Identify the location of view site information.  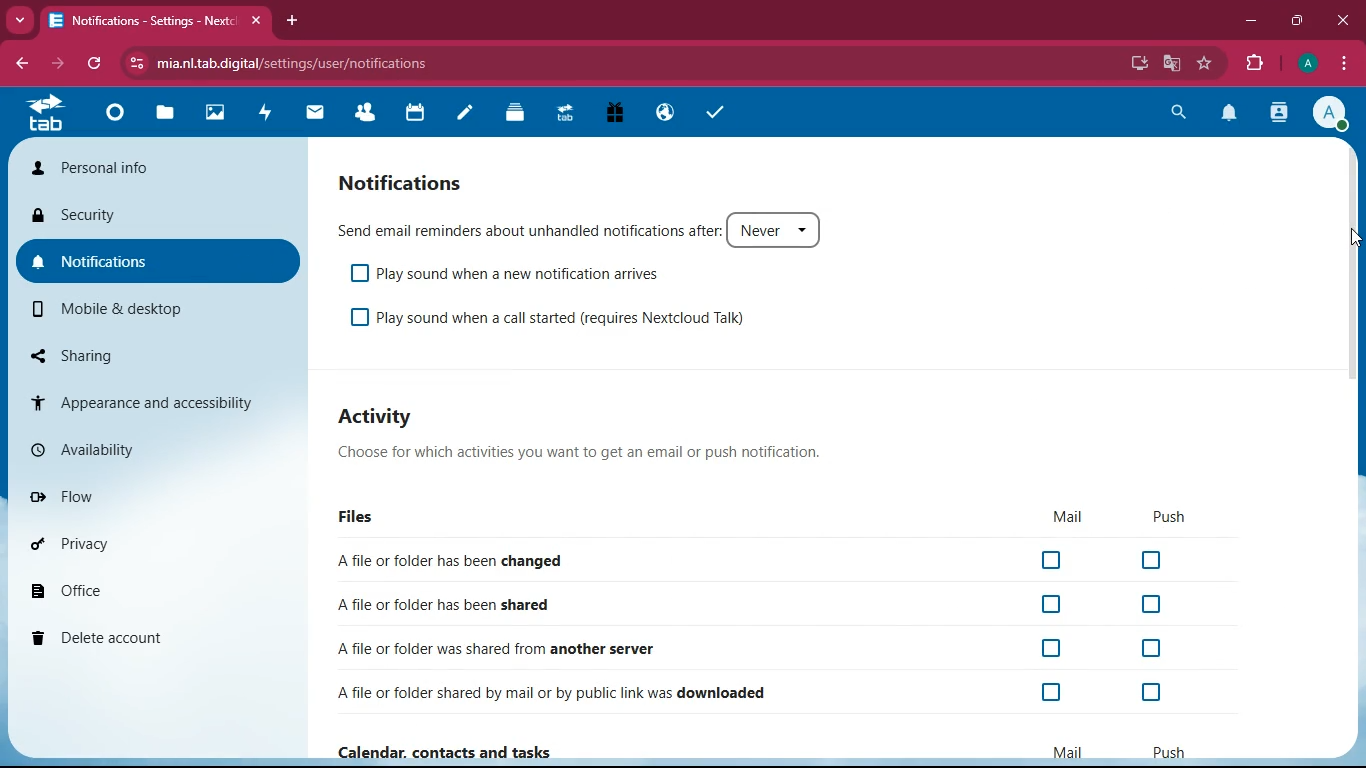
(134, 65).